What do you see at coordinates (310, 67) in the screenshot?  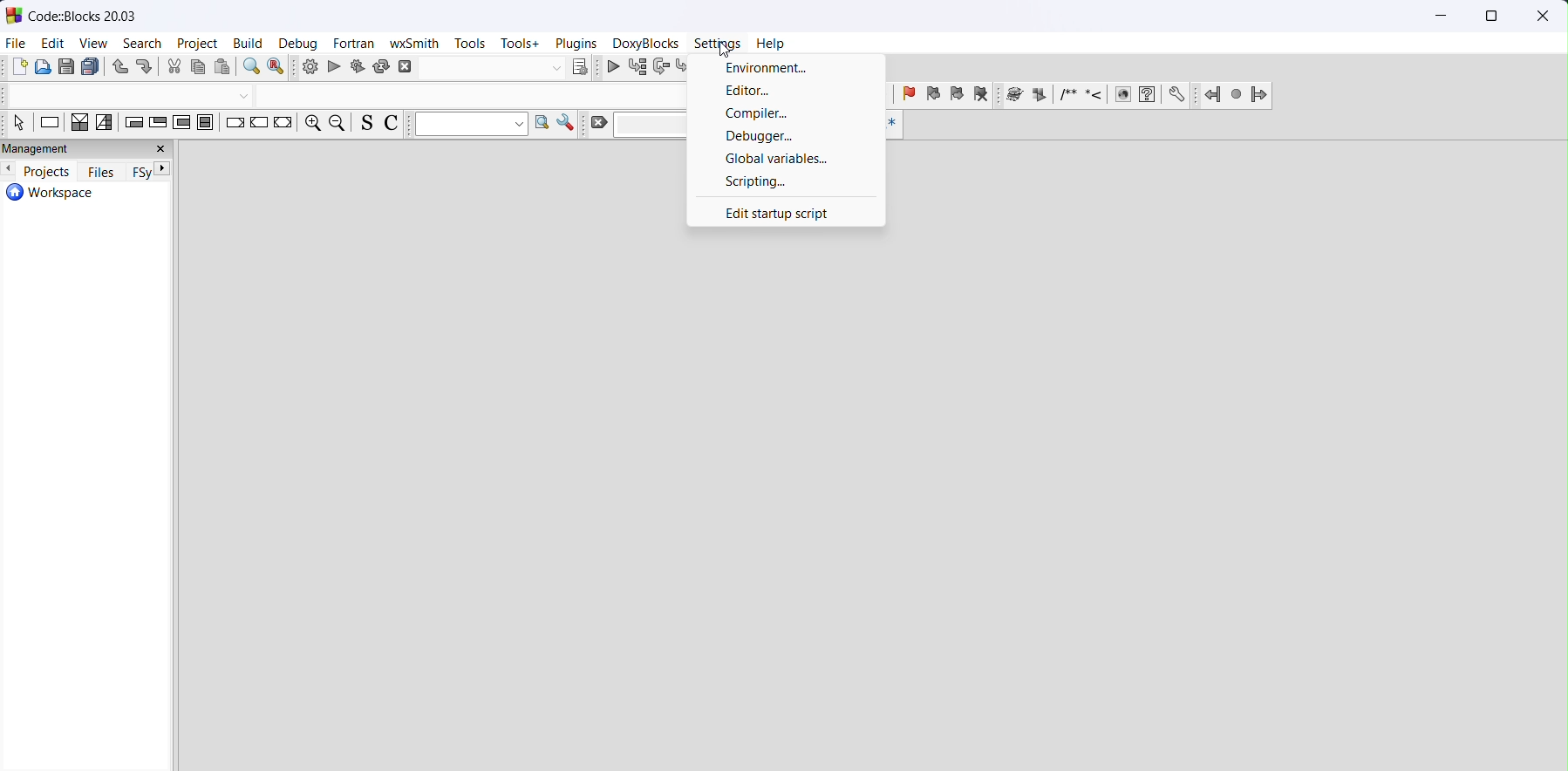 I see `build` at bounding box center [310, 67].